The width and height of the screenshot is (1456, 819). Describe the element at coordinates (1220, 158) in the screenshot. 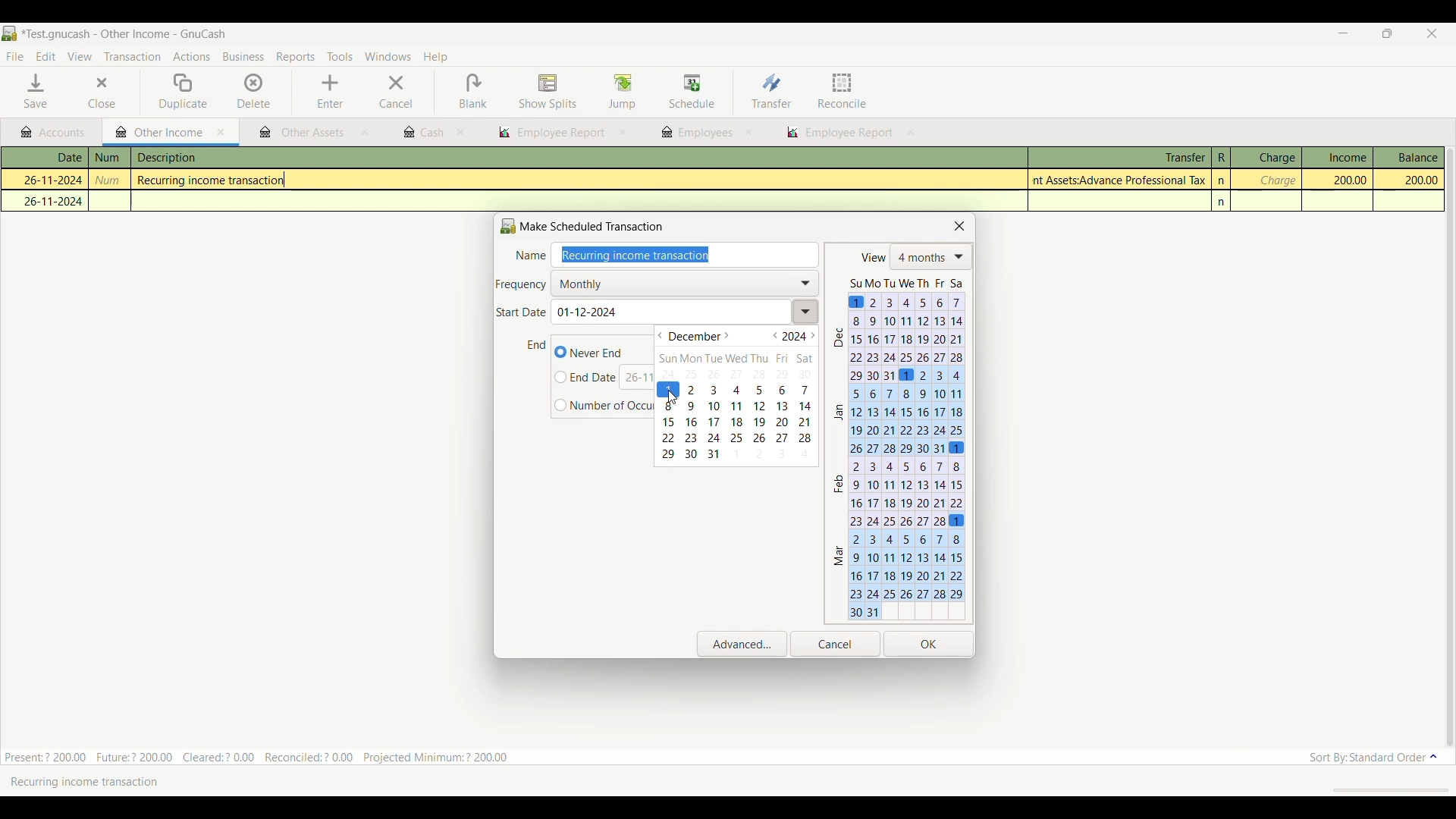

I see `R column` at that location.